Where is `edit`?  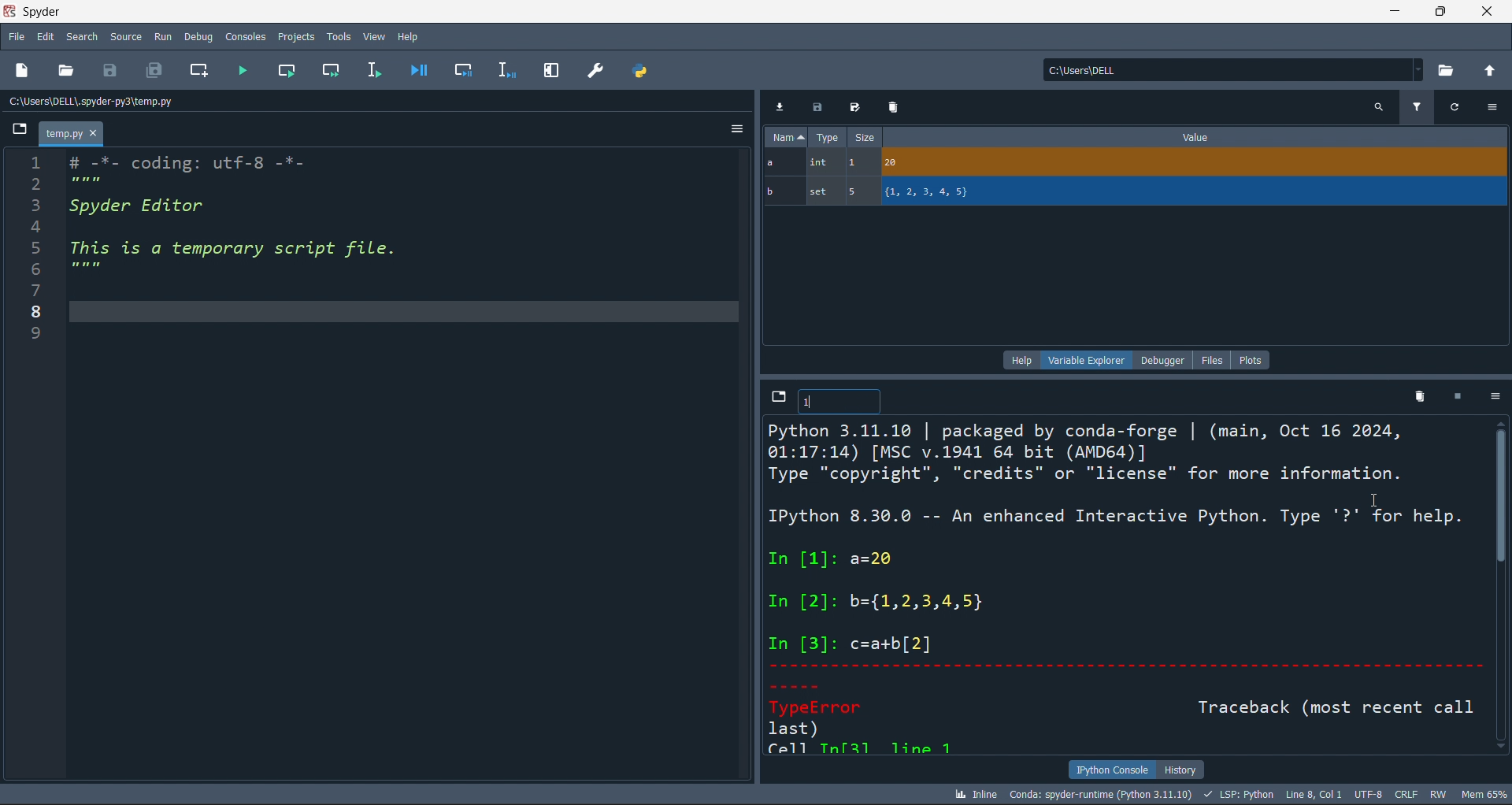
edit is located at coordinates (46, 39).